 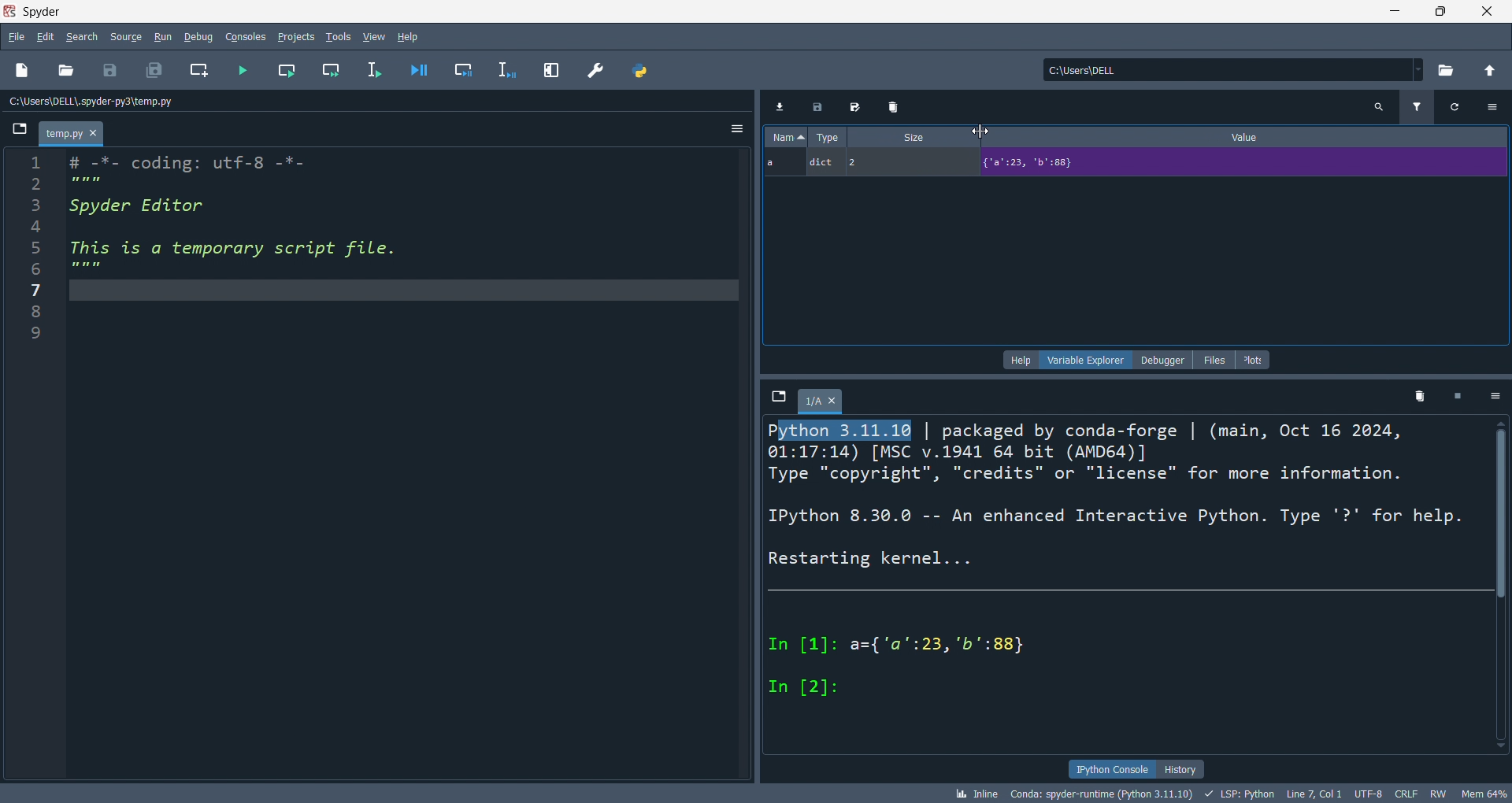 I want to click on view, so click(x=372, y=35).